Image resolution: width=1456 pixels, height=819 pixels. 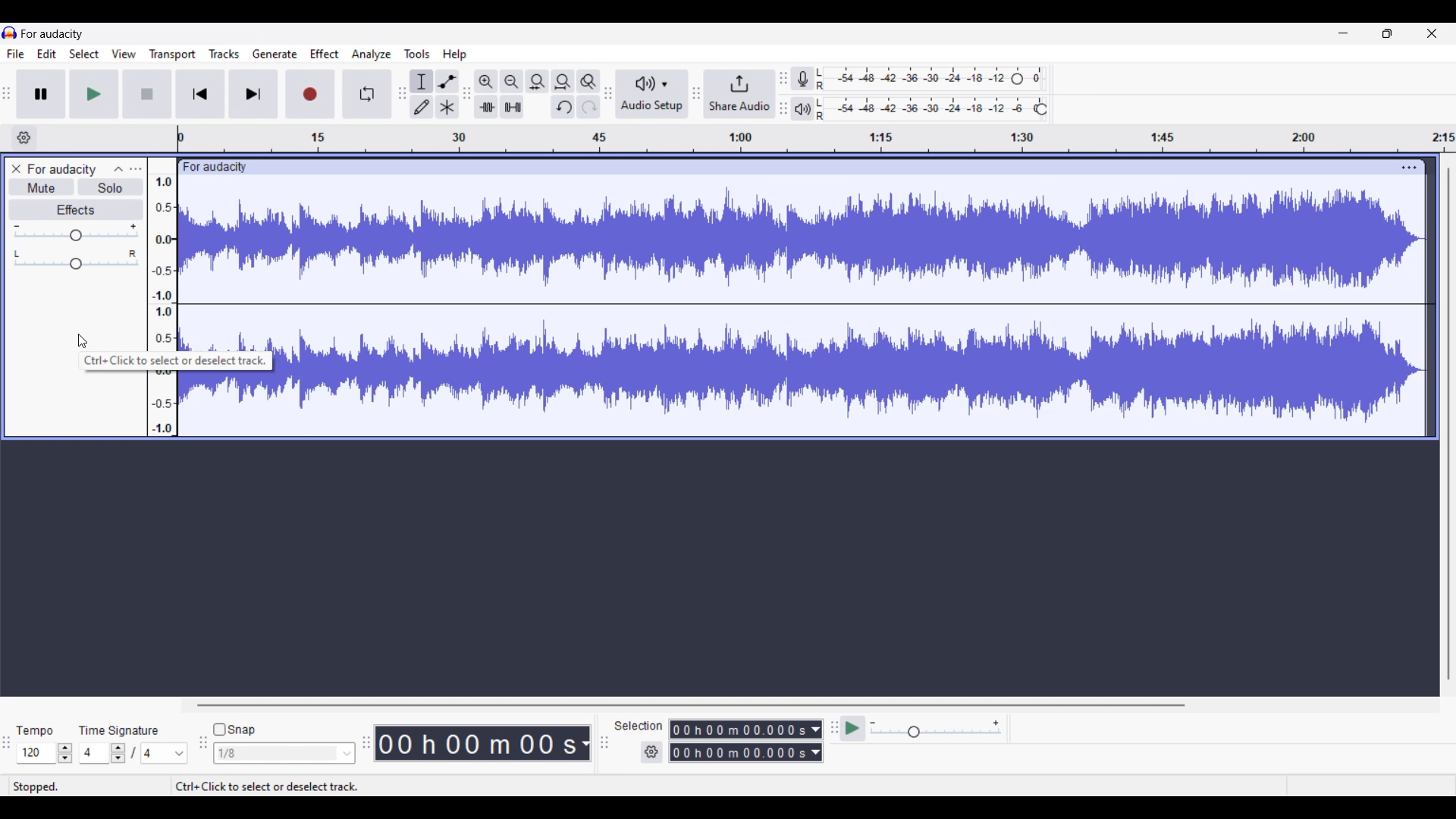 What do you see at coordinates (1387, 33) in the screenshot?
I see `Show in smaller tab` at bounding box center [1387, 33].